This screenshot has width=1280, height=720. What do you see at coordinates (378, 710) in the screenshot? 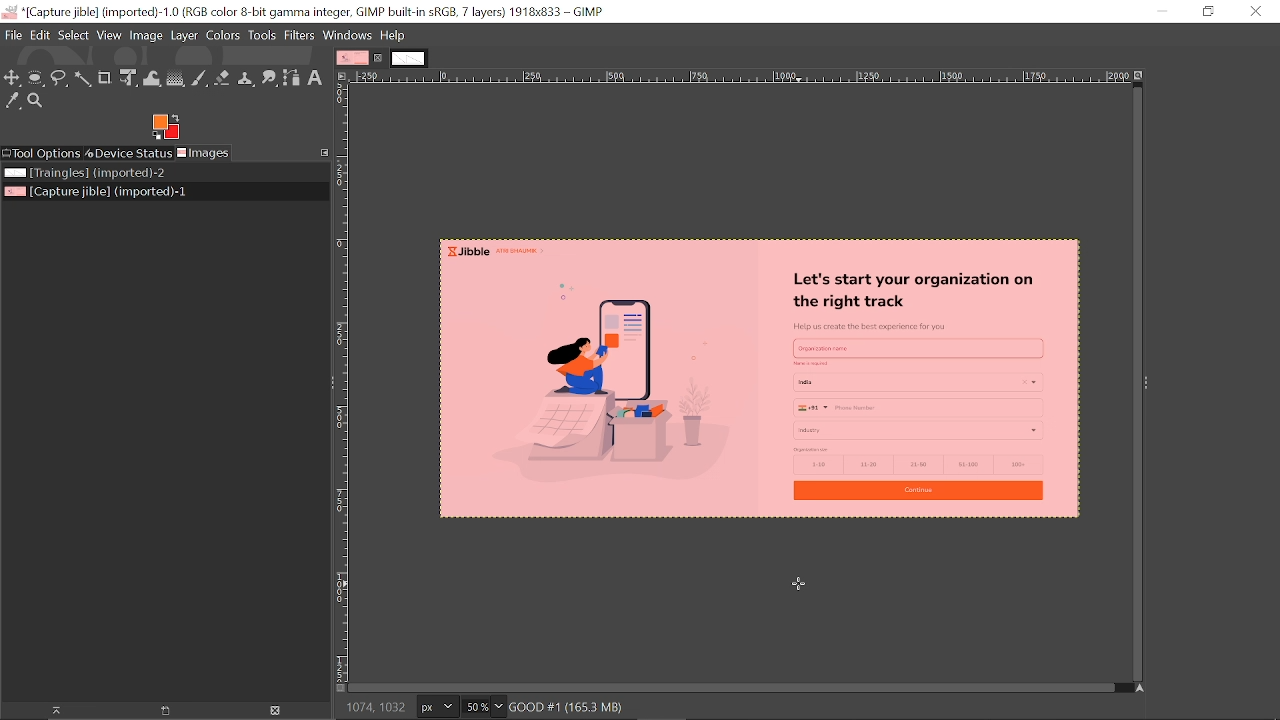
I see `1074,1032` at bounding box center [378, 710].